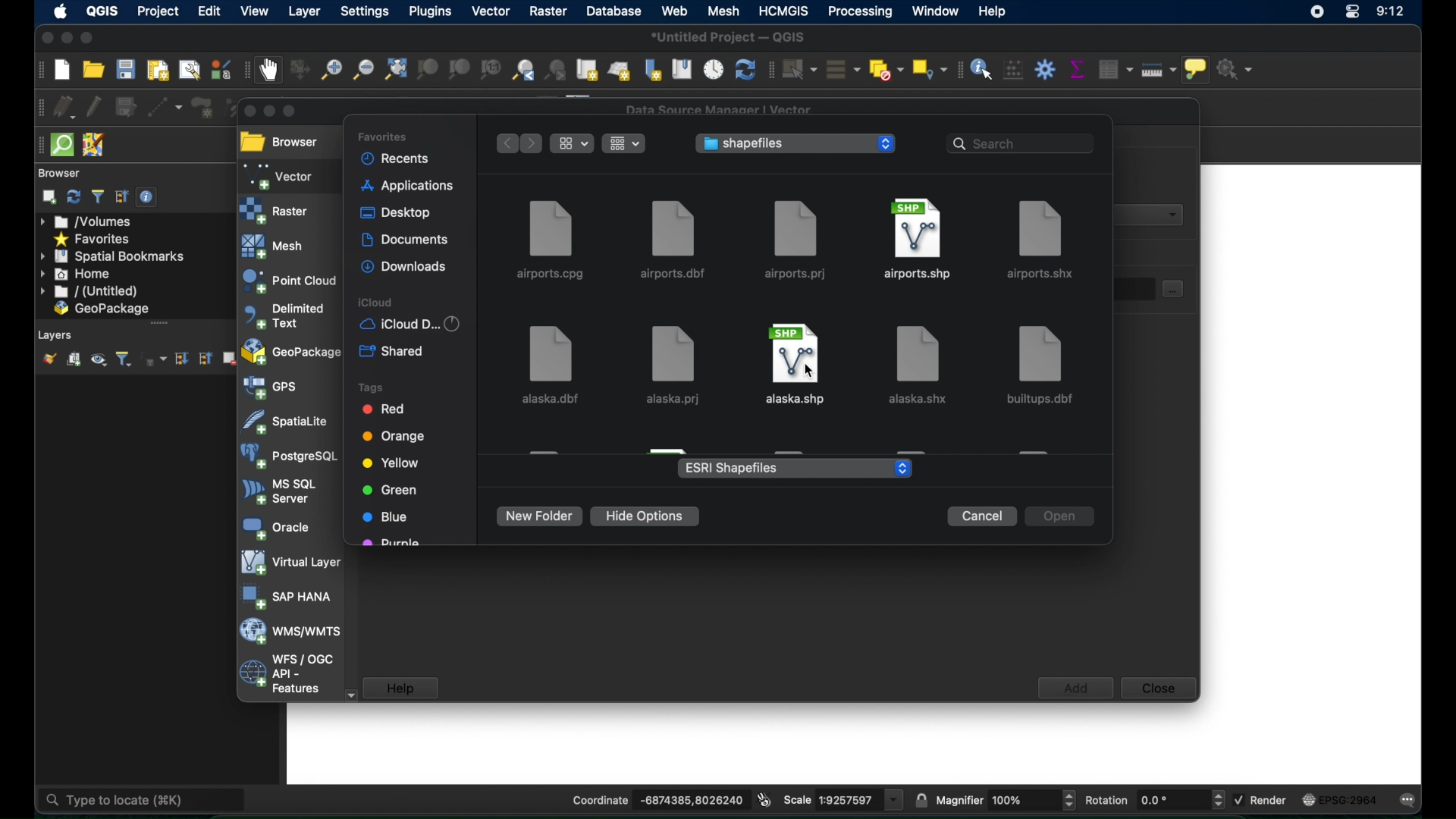 This screenshot has width=1456, height=819. Describe the element at coordinates (714, 68) in the screenshot. I see `temporal controller panel` at that location.